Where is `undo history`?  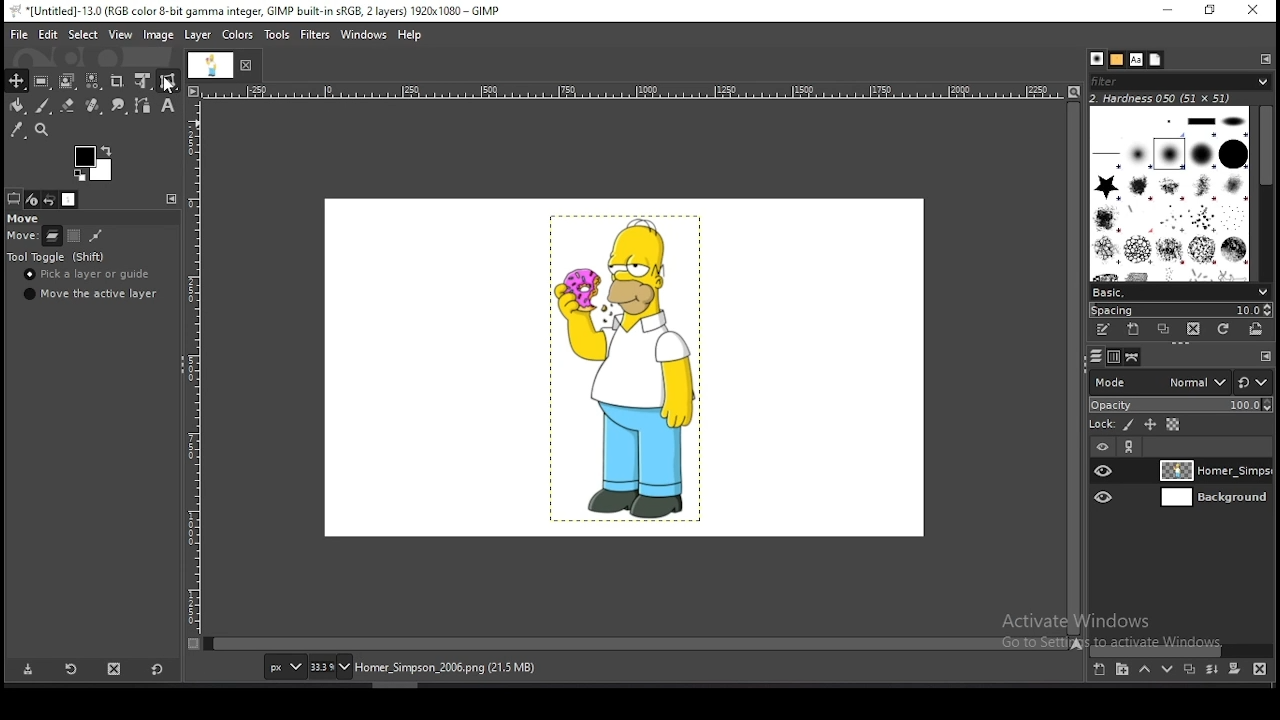 undo history is located at coordinates (50, 199).